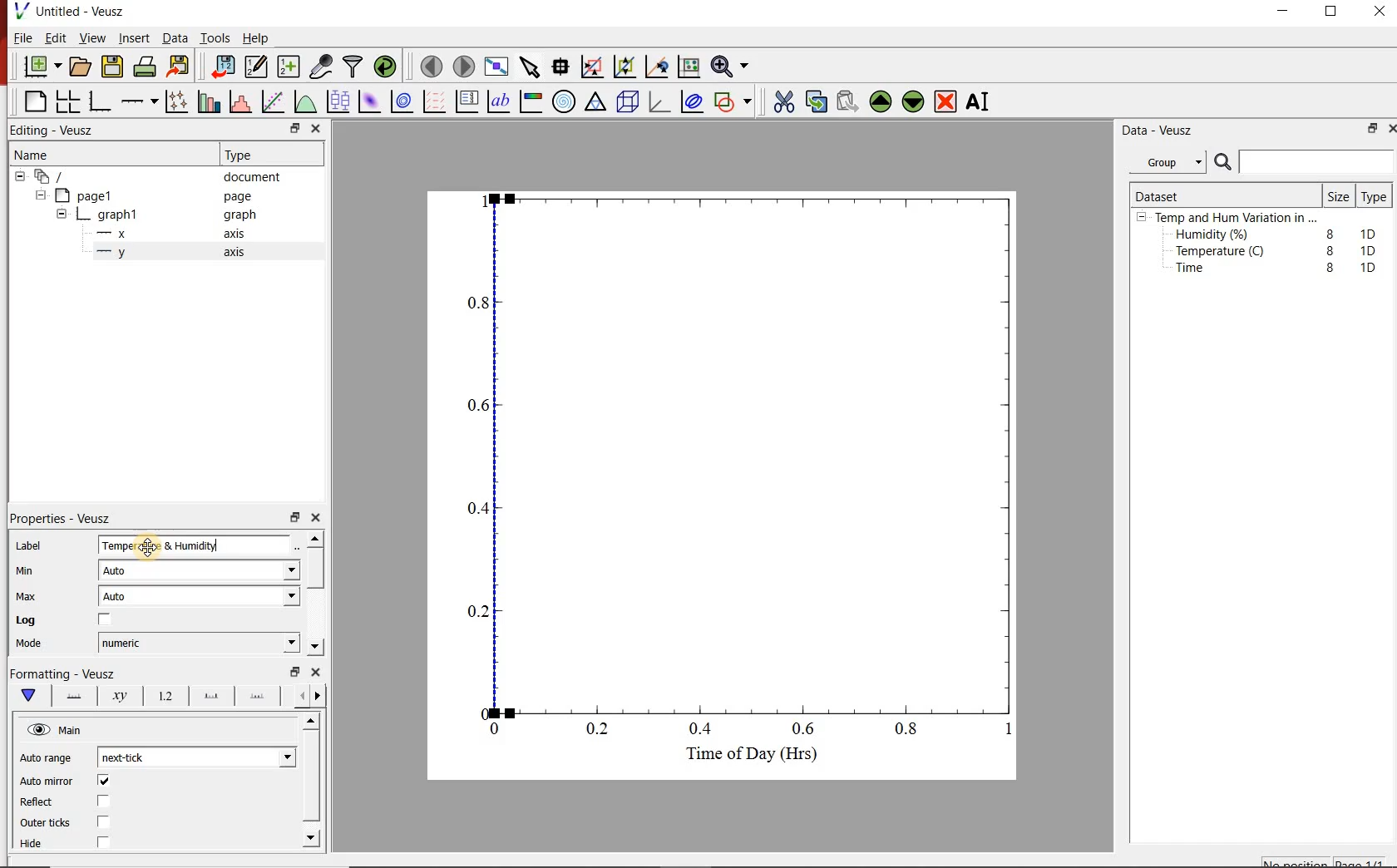 The width and height of the screenshot is (1397, 868). I want to click on Mode dropdown, so click(272, 643).